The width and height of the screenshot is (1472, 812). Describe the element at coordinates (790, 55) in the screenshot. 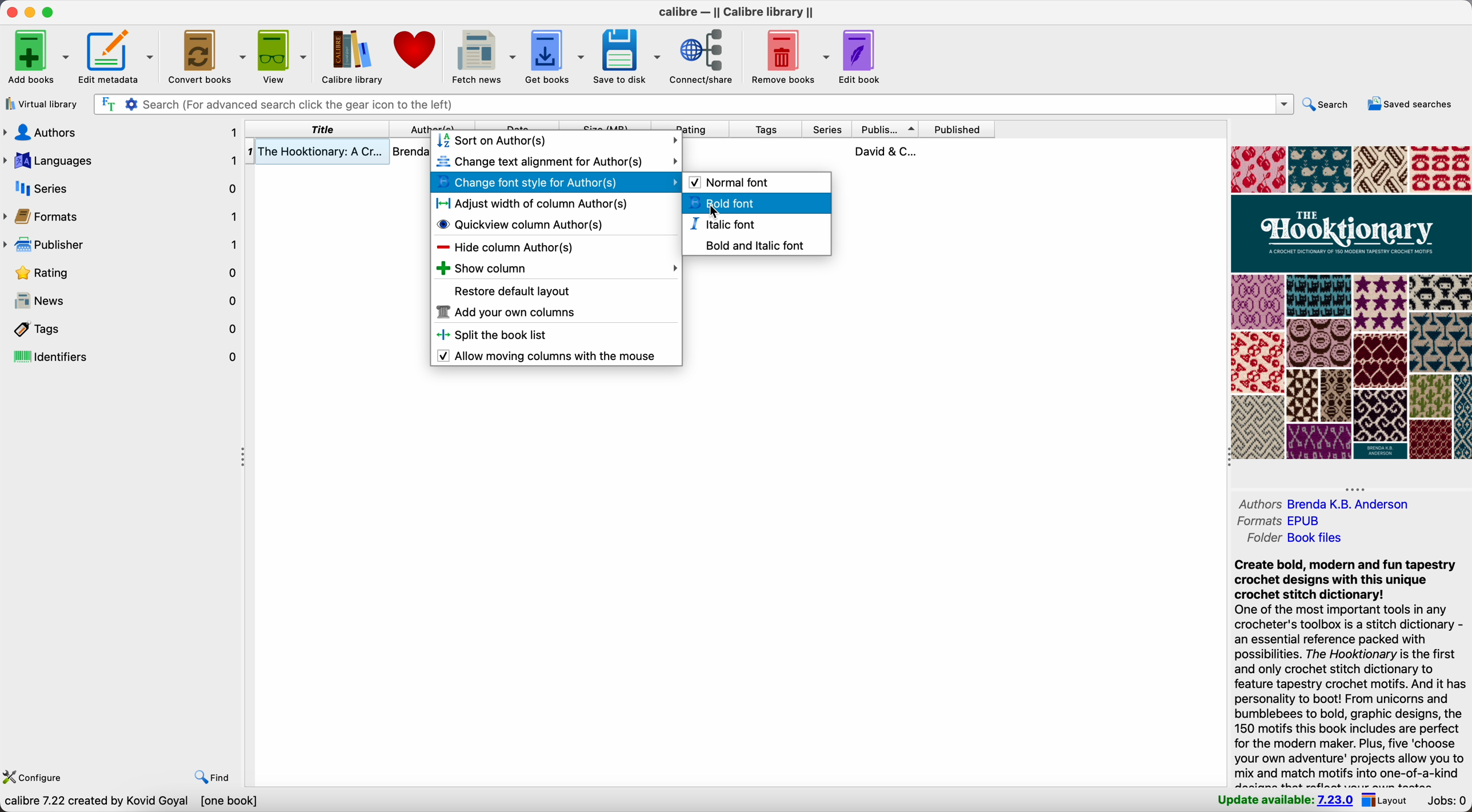

I see `remove books` at that location.